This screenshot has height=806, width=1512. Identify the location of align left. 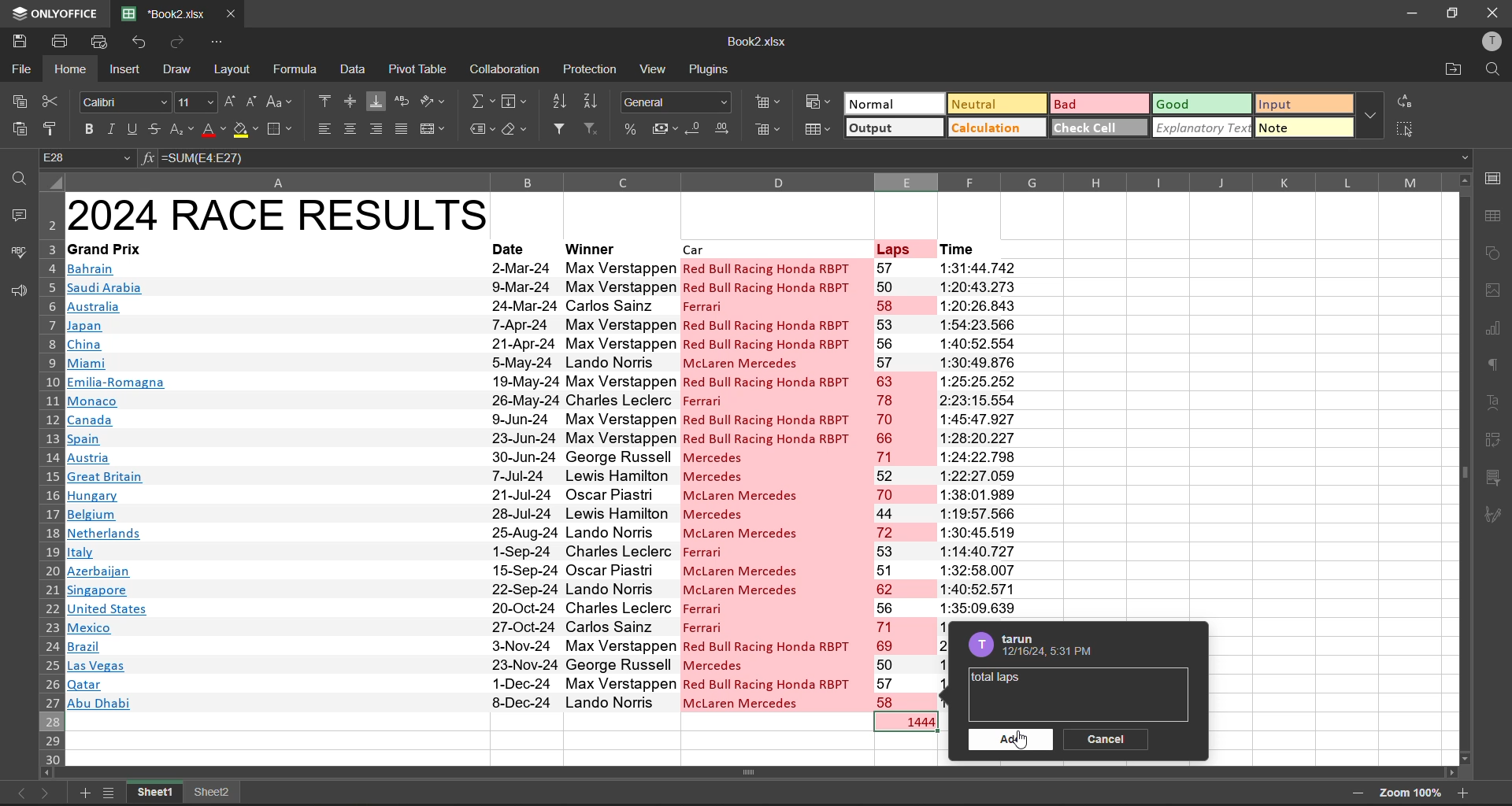
(326, 129).